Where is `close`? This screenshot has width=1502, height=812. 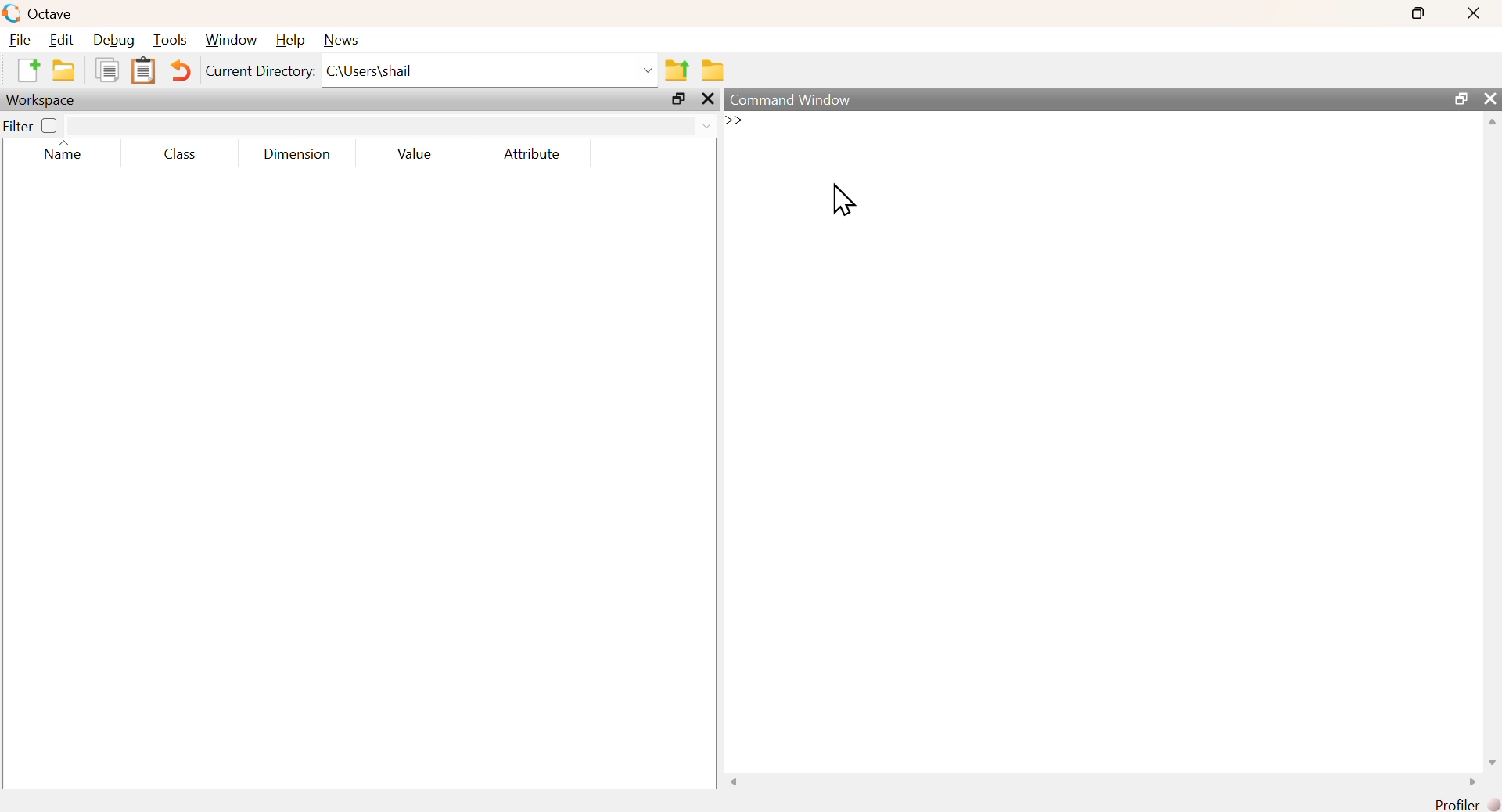 close is located at coordinates (1490, 98).